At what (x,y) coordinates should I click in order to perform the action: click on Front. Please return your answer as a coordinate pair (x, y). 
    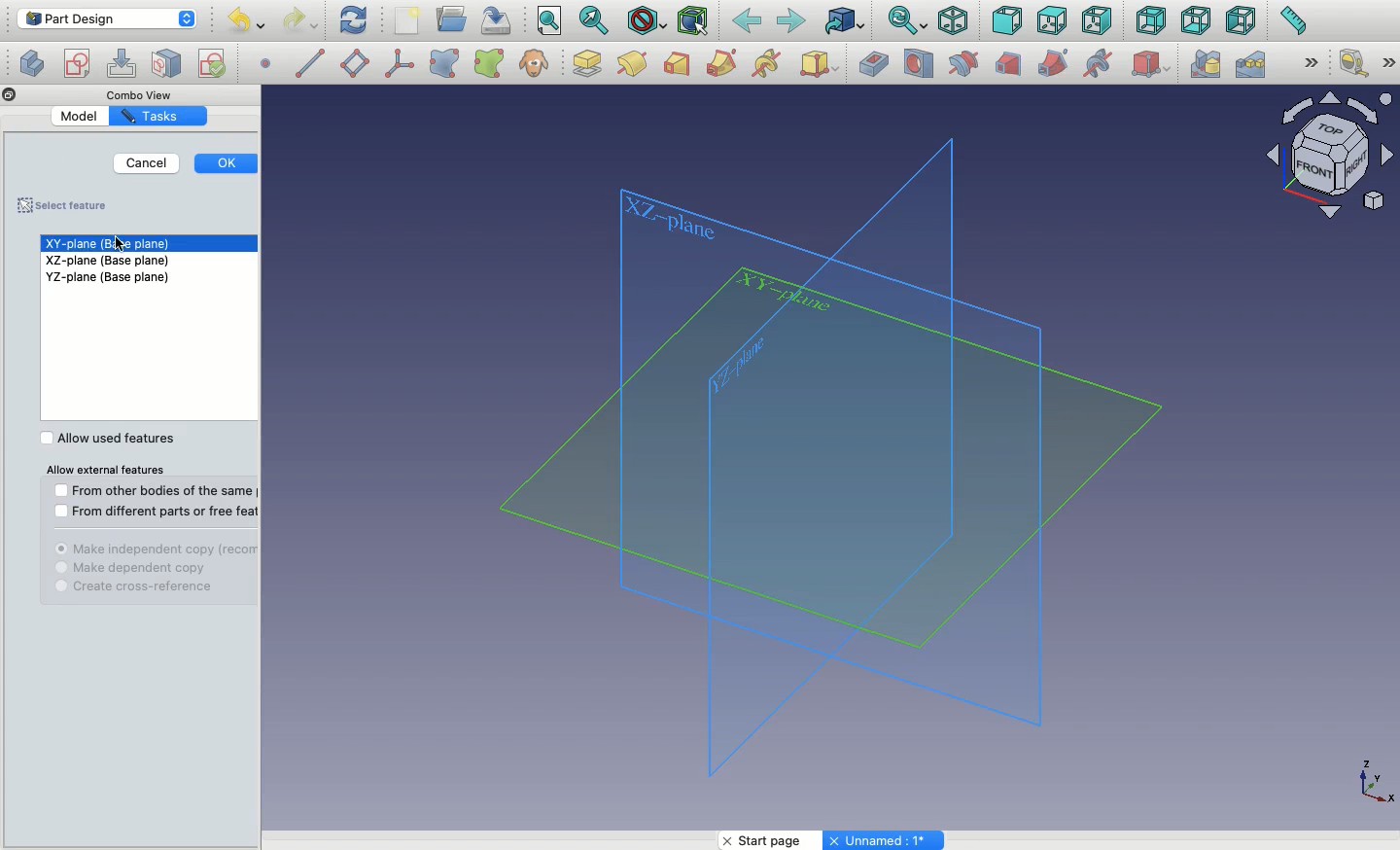
    Looking at the image, I should click on (1007, 22).